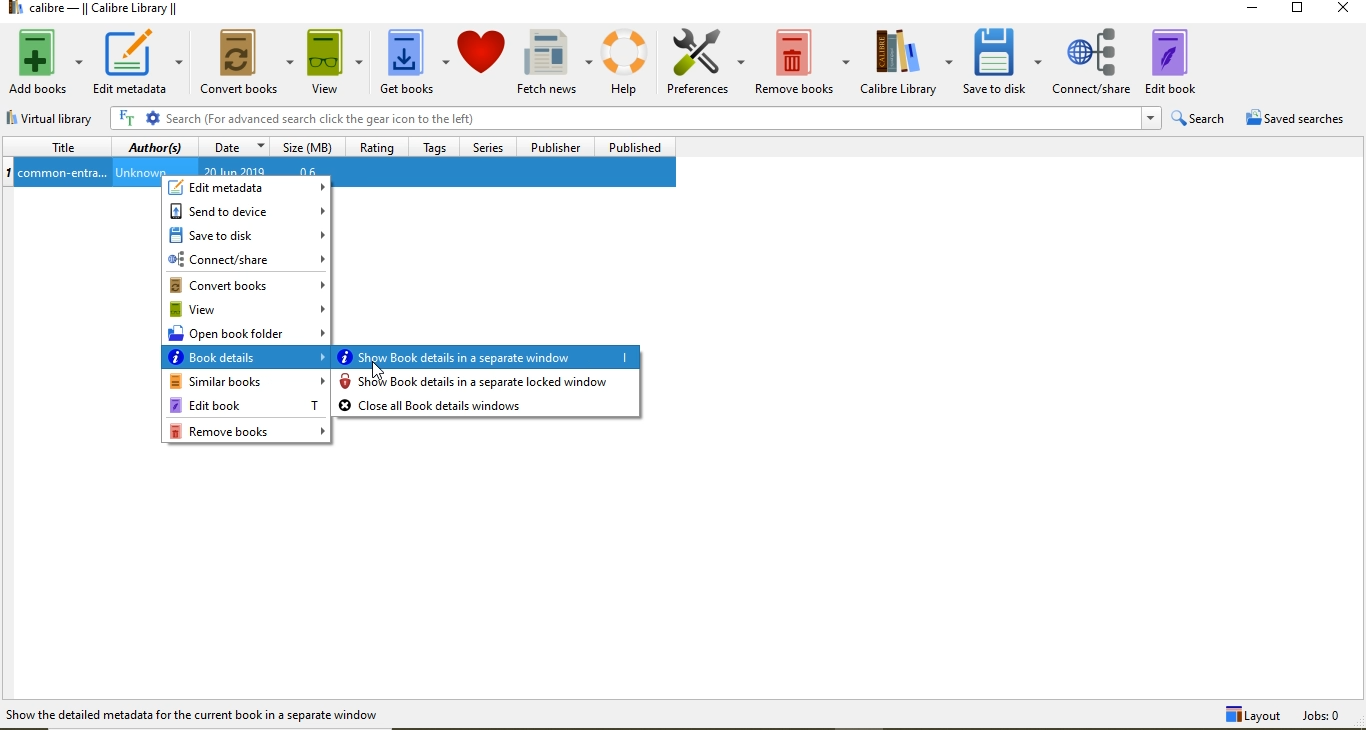 This screenshot has height=730, width=1366. What do you see at coordinates (634, 148) in the screenshot?
I see `published` at bounding box center [634, 148].